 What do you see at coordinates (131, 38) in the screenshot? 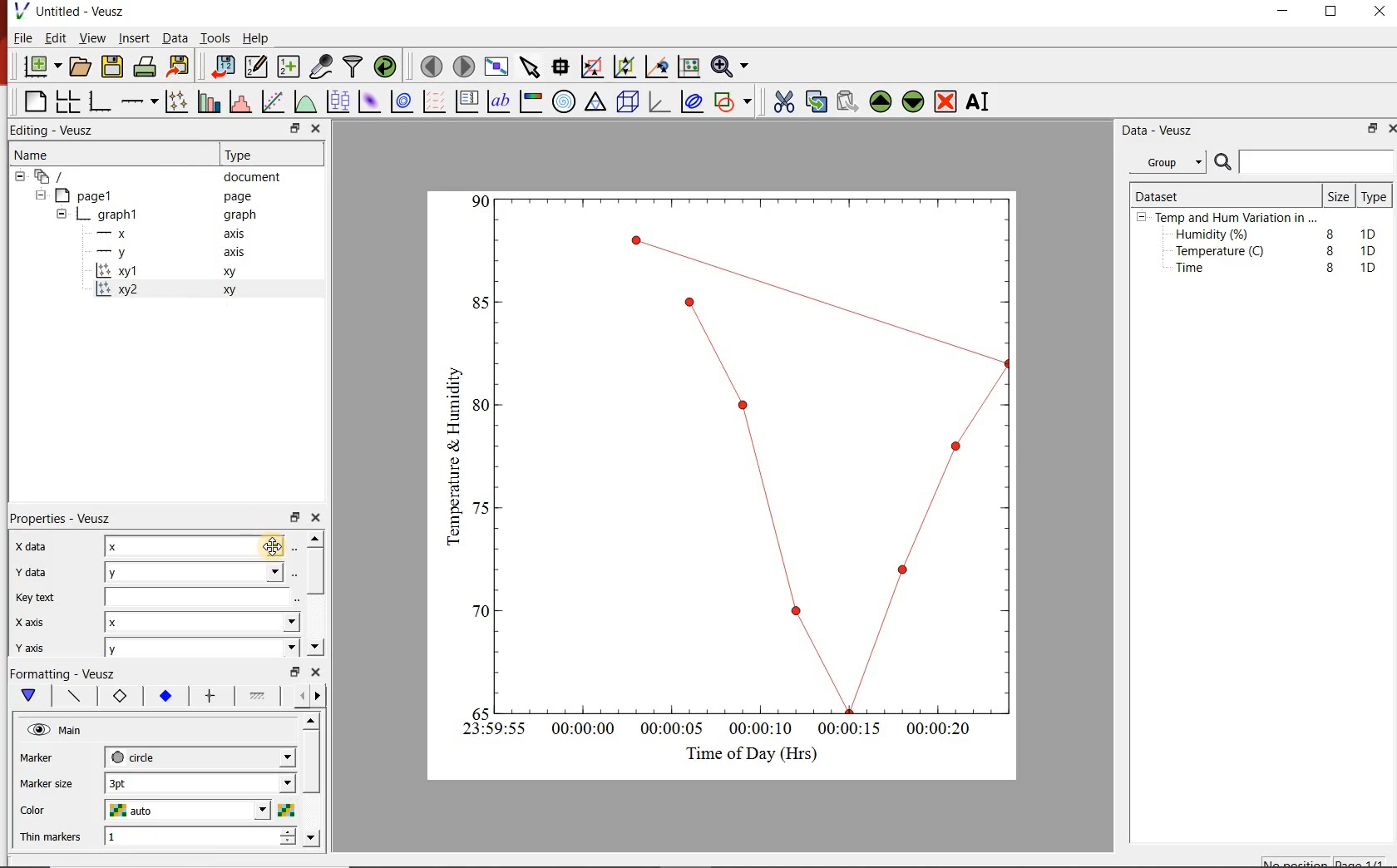
I see `Insert` at bounding box center [131, 38].